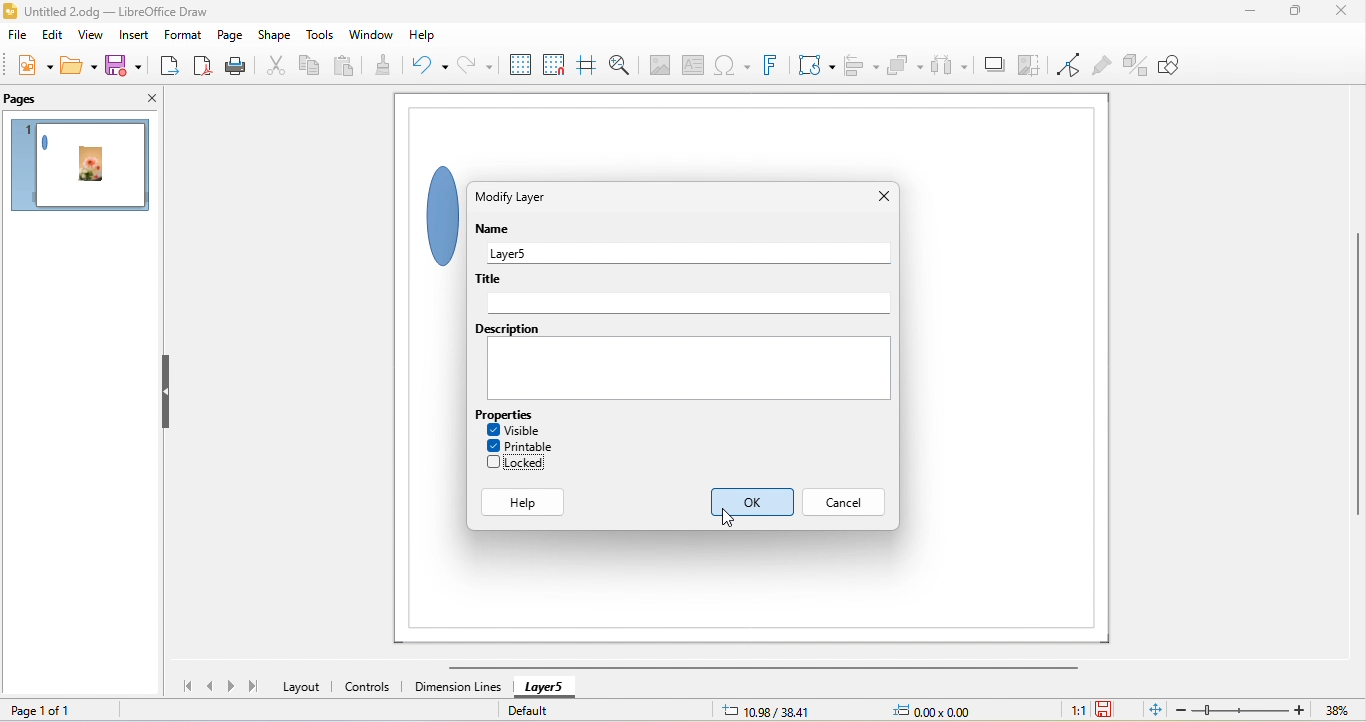  Describe the element at coordinates (473, 67) in the screenshot. I see `redo` at that location.